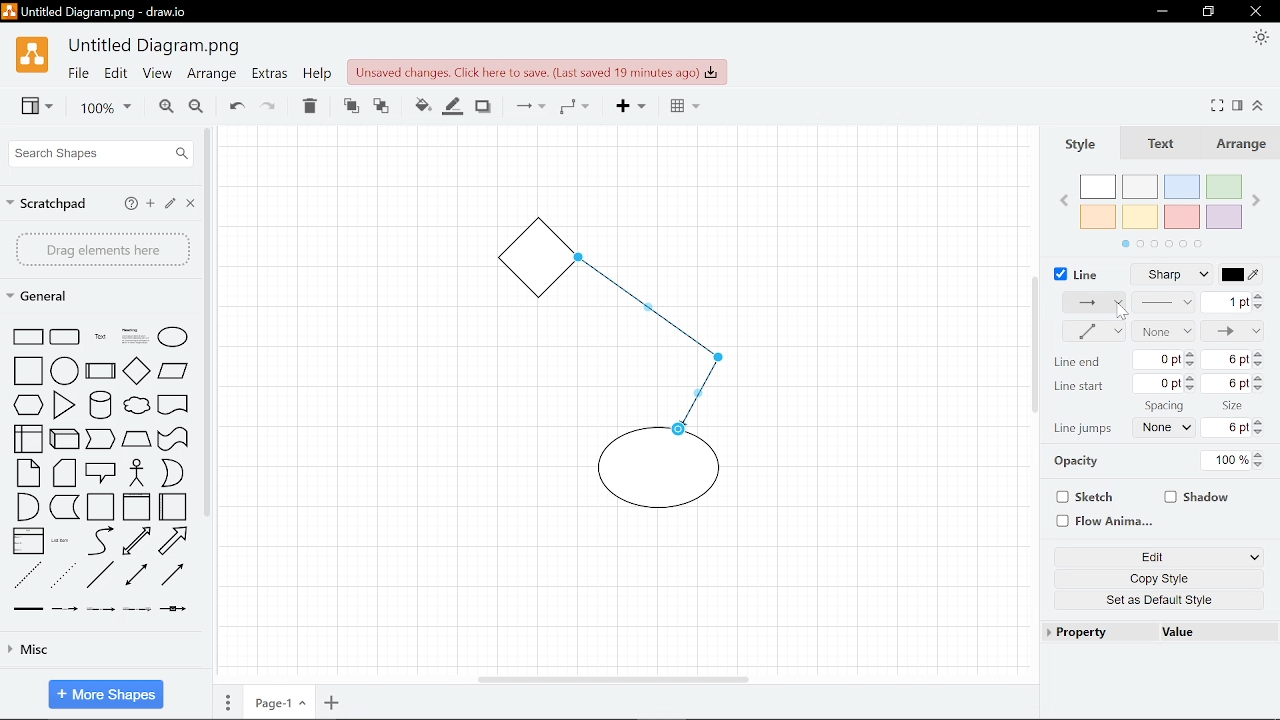 This screenshot has height=720, width=1280. What do you see at coordinates (483, 105) in the screenshot?
I see `Shadow` at bounding box center [483, 105].